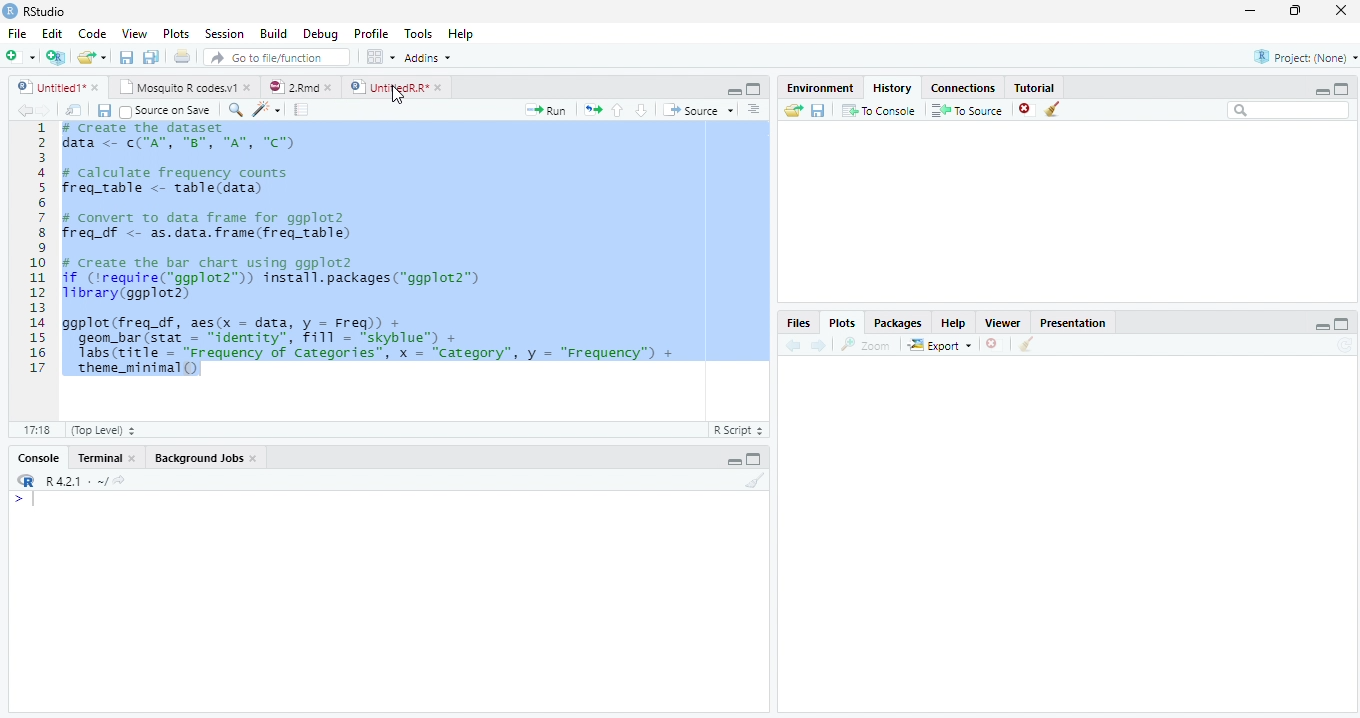 Image resolution: width=1360 pixels, height=718 pixels. I want to click on Debug, so click(321, 33).